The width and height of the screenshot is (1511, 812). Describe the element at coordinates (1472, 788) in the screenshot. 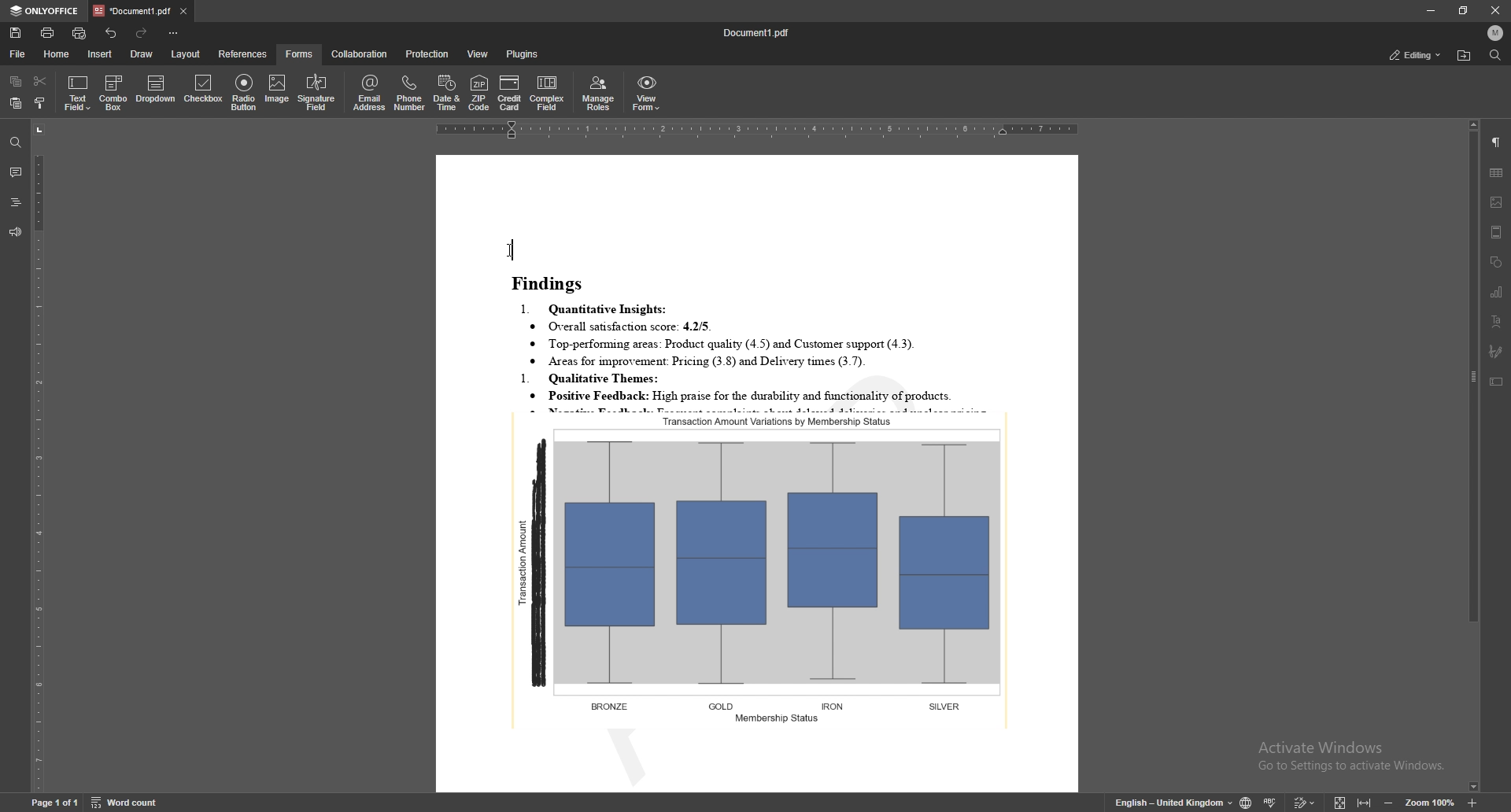

I see `scroll down` at that location.